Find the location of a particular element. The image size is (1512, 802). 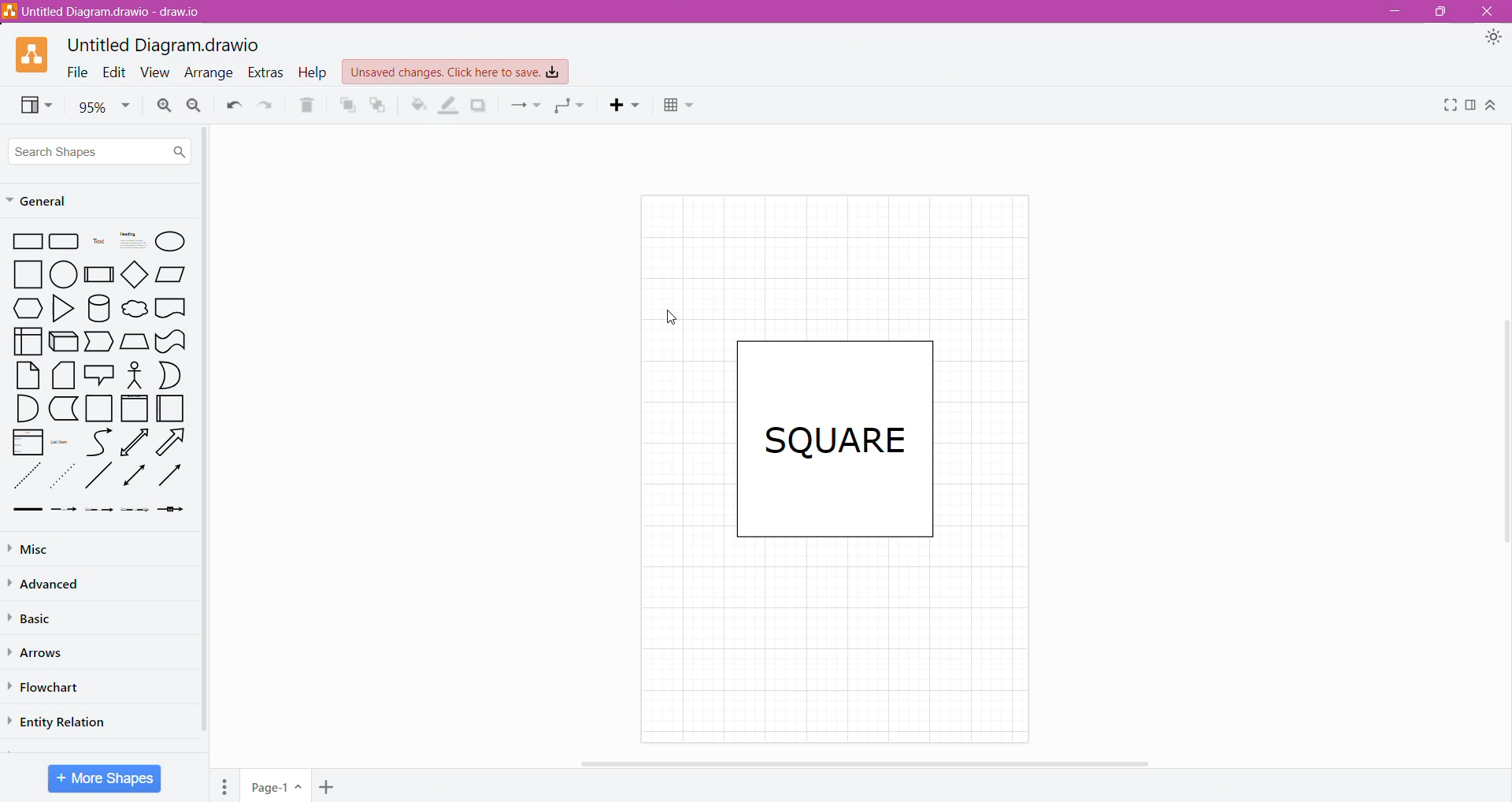

Format is located at coordinates (1473, 109).